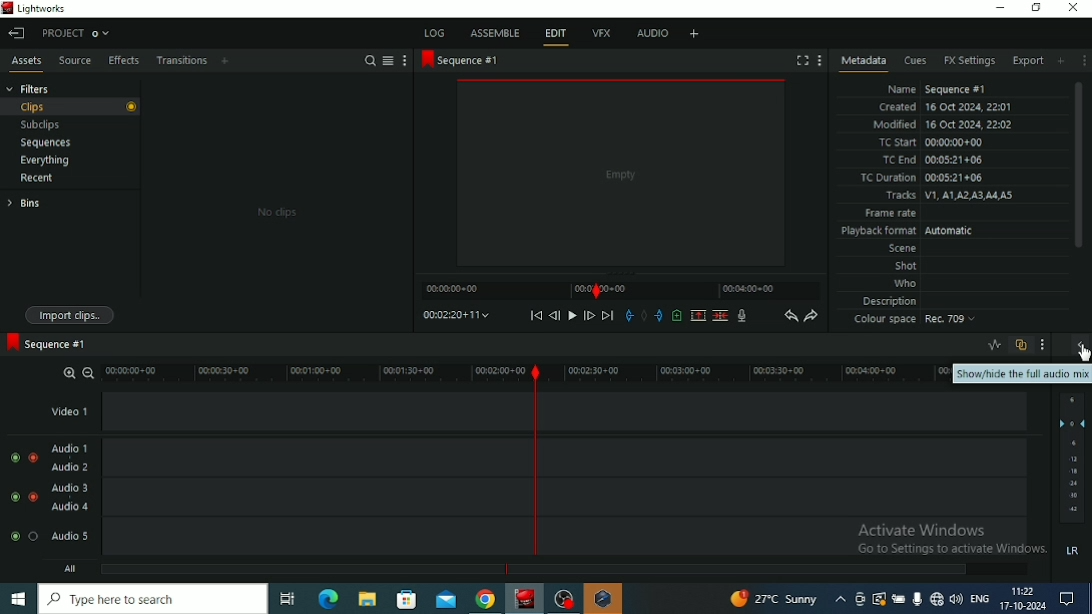 The height and width of the screenshot is (614, 1092). What do you see at coordinates (819, 60) in the screenshot?
I see `Show settings menu` at bounding box center [819, 60].